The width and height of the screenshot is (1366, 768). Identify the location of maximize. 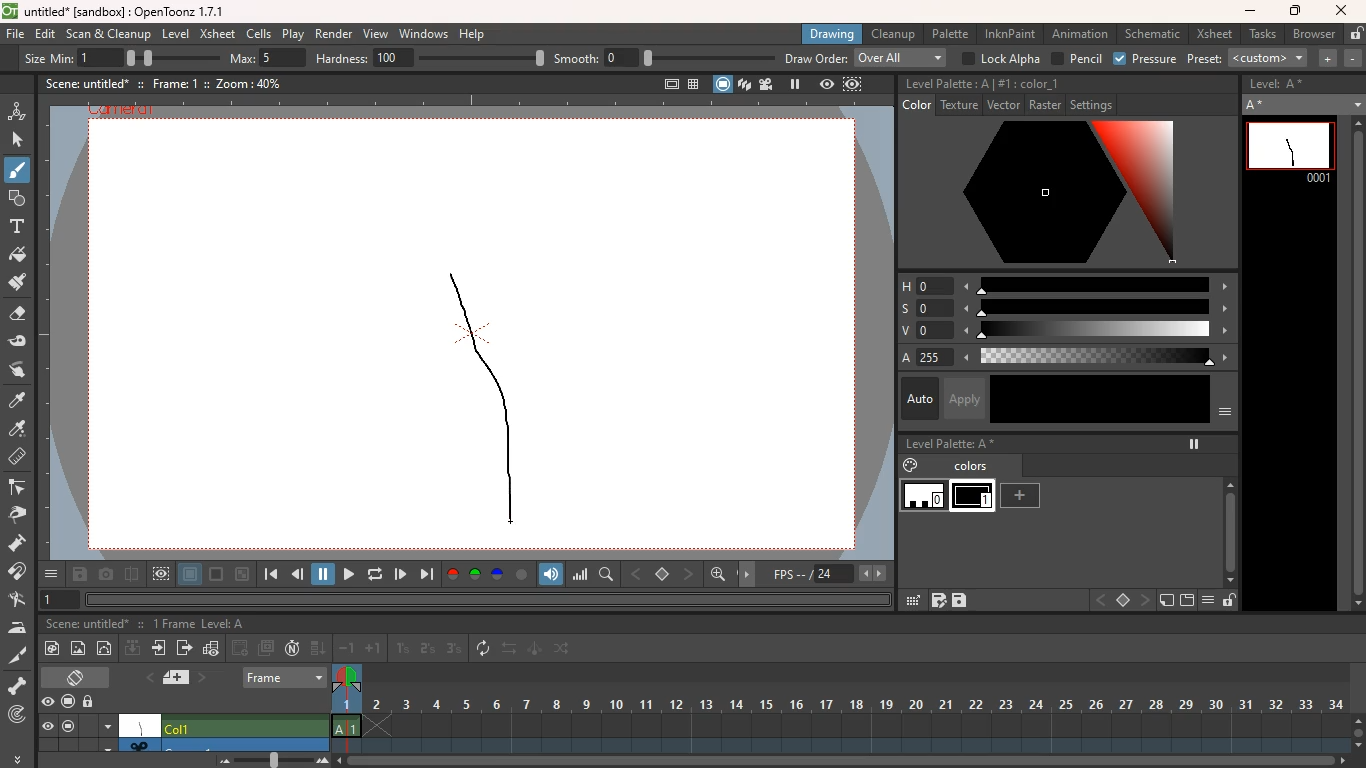
(1297, 11).